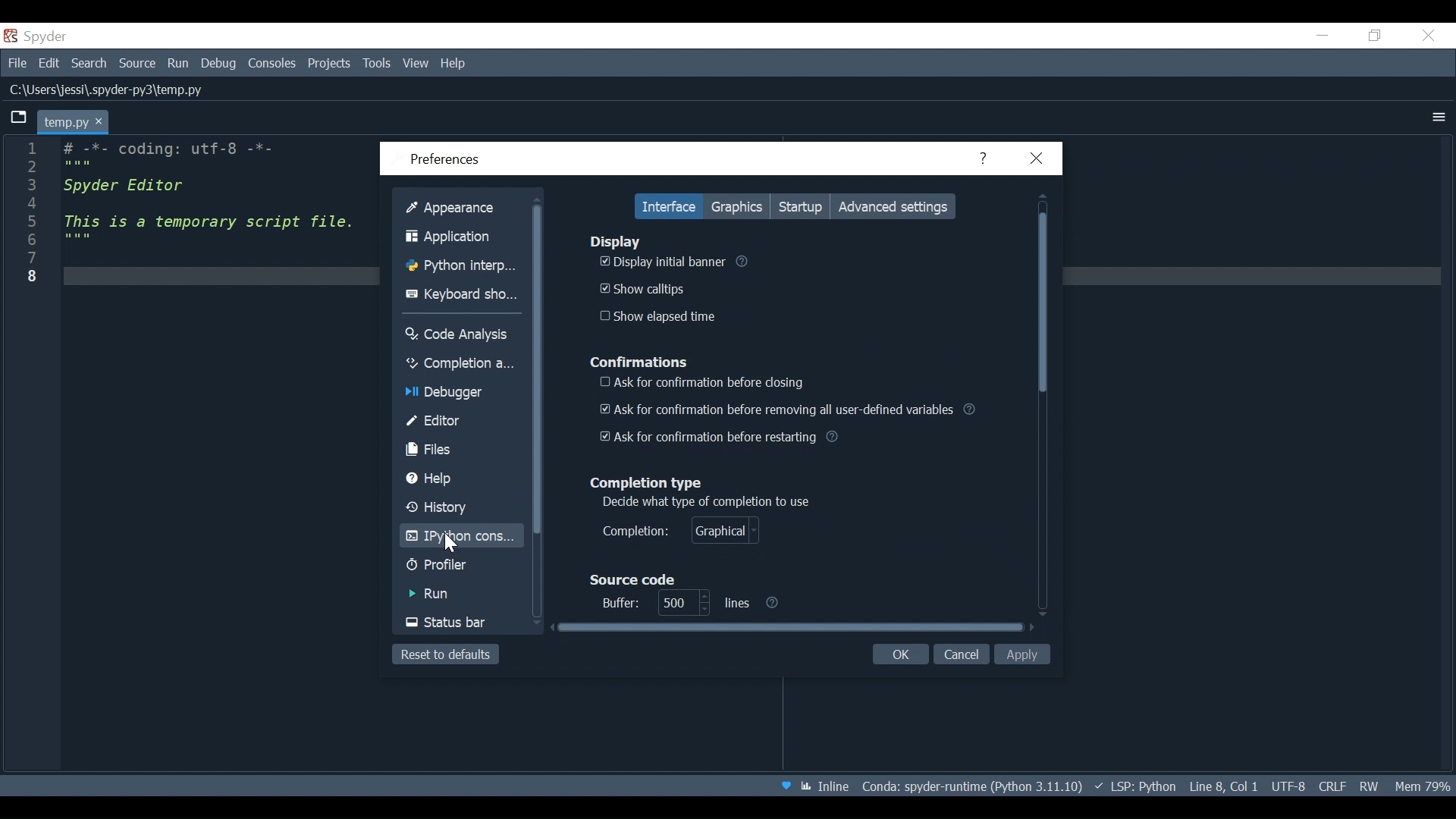 The height and width of the screenshot is (819, 1456). I want to click on Interface, so click(668, 206).